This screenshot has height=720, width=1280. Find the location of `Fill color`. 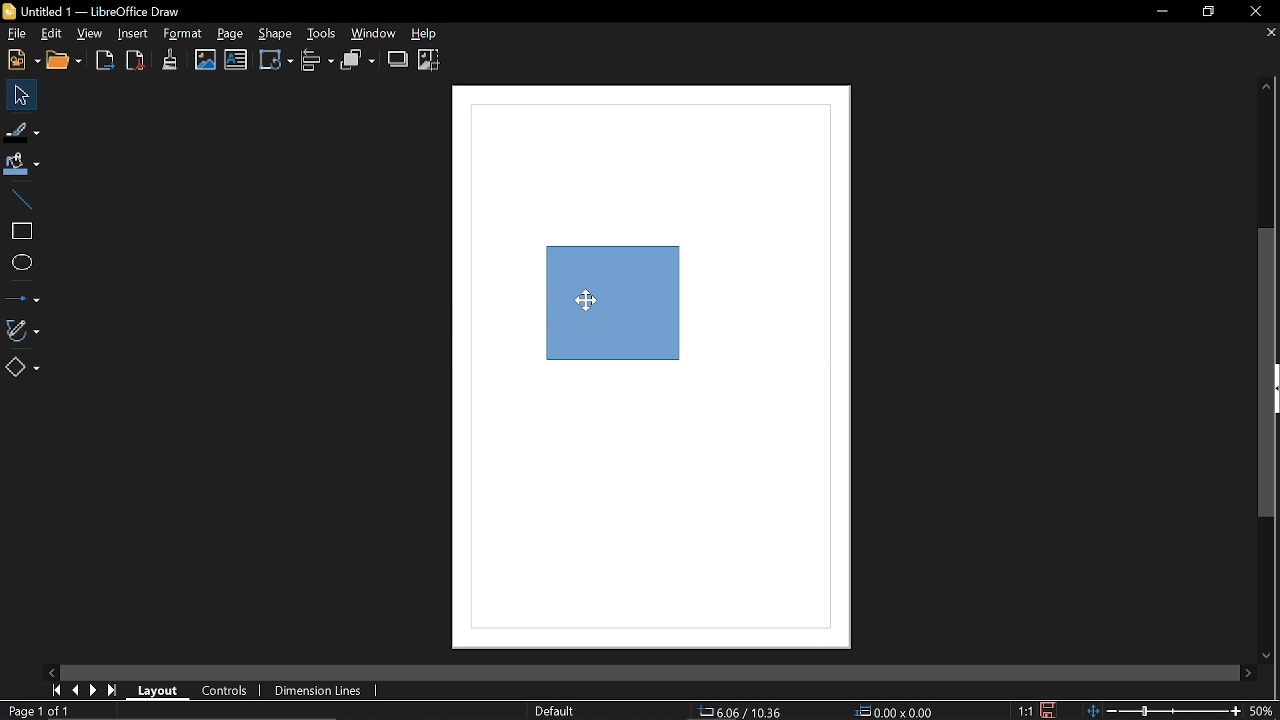

Fill color is located at coordinates (25, 161).